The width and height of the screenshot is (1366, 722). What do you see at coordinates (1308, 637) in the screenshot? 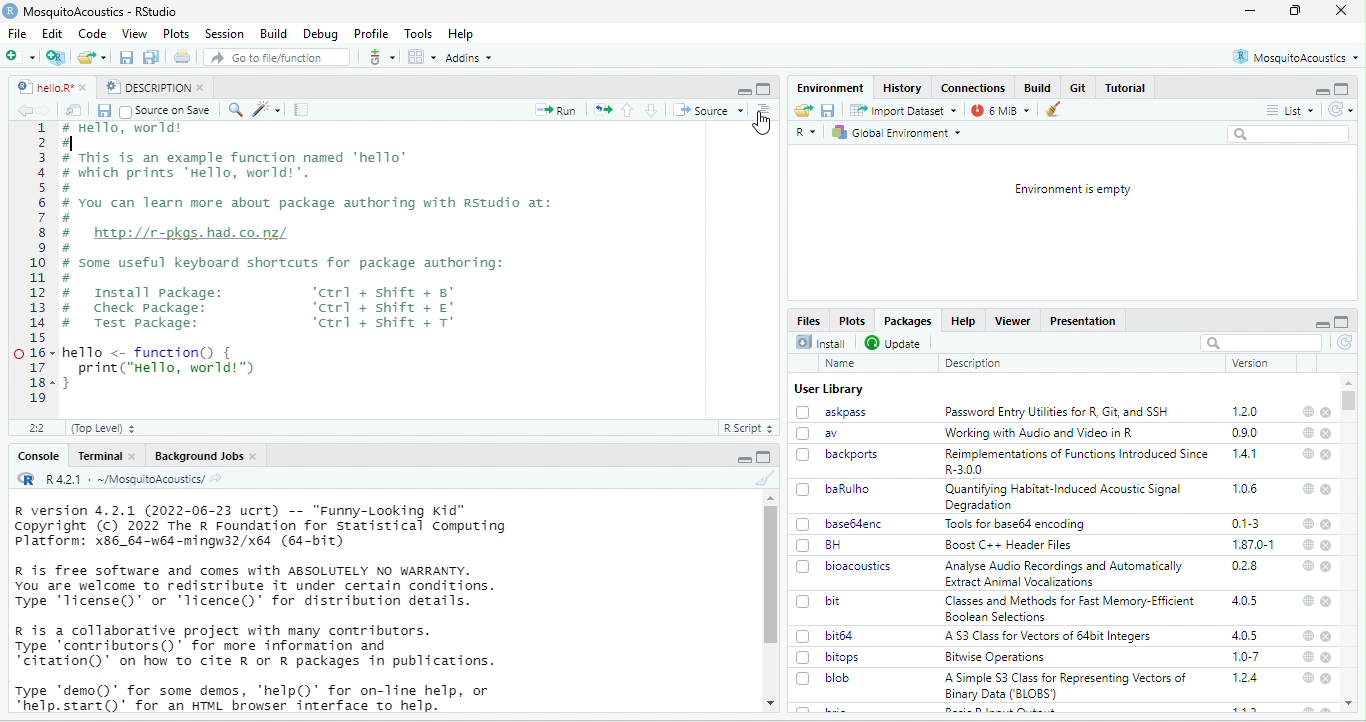
I see `help` at bounding box center [1308, 637].